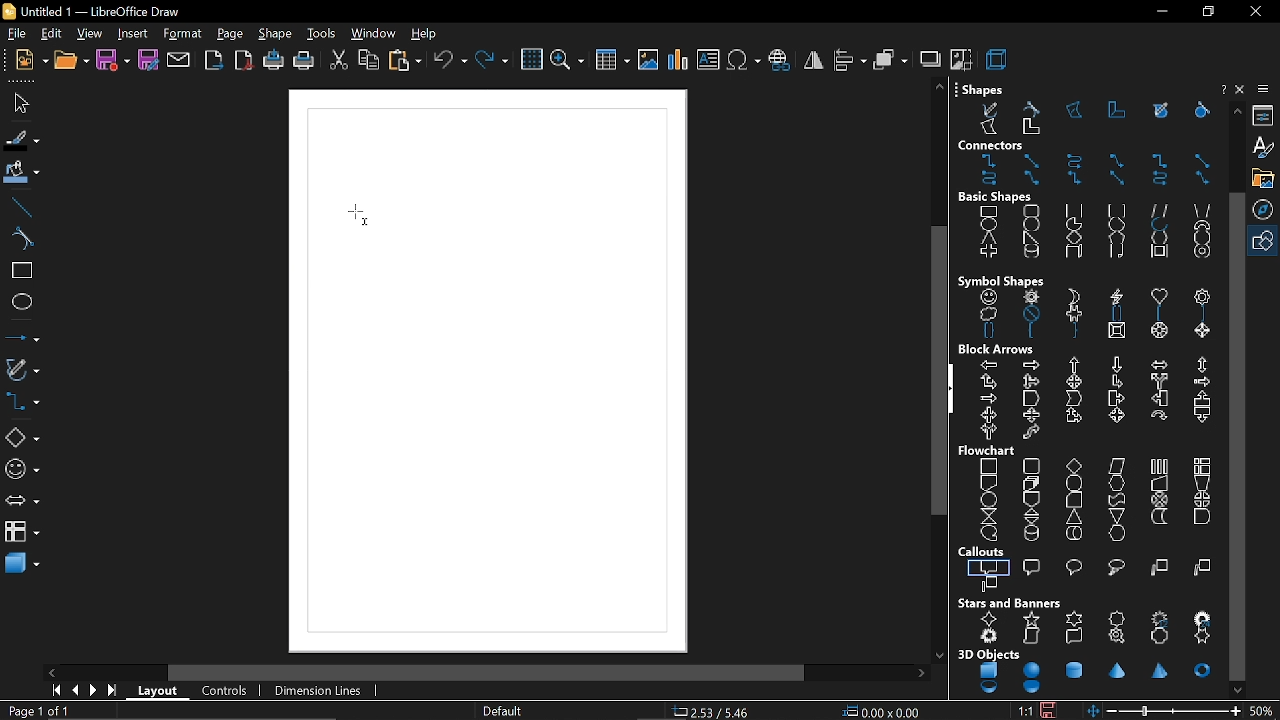 The height and width of the screenshot is (720, 1280). What do you see at coordinates (990, 225) in the screenshot?
I see `ellipse` at bounding box center [990, 225].